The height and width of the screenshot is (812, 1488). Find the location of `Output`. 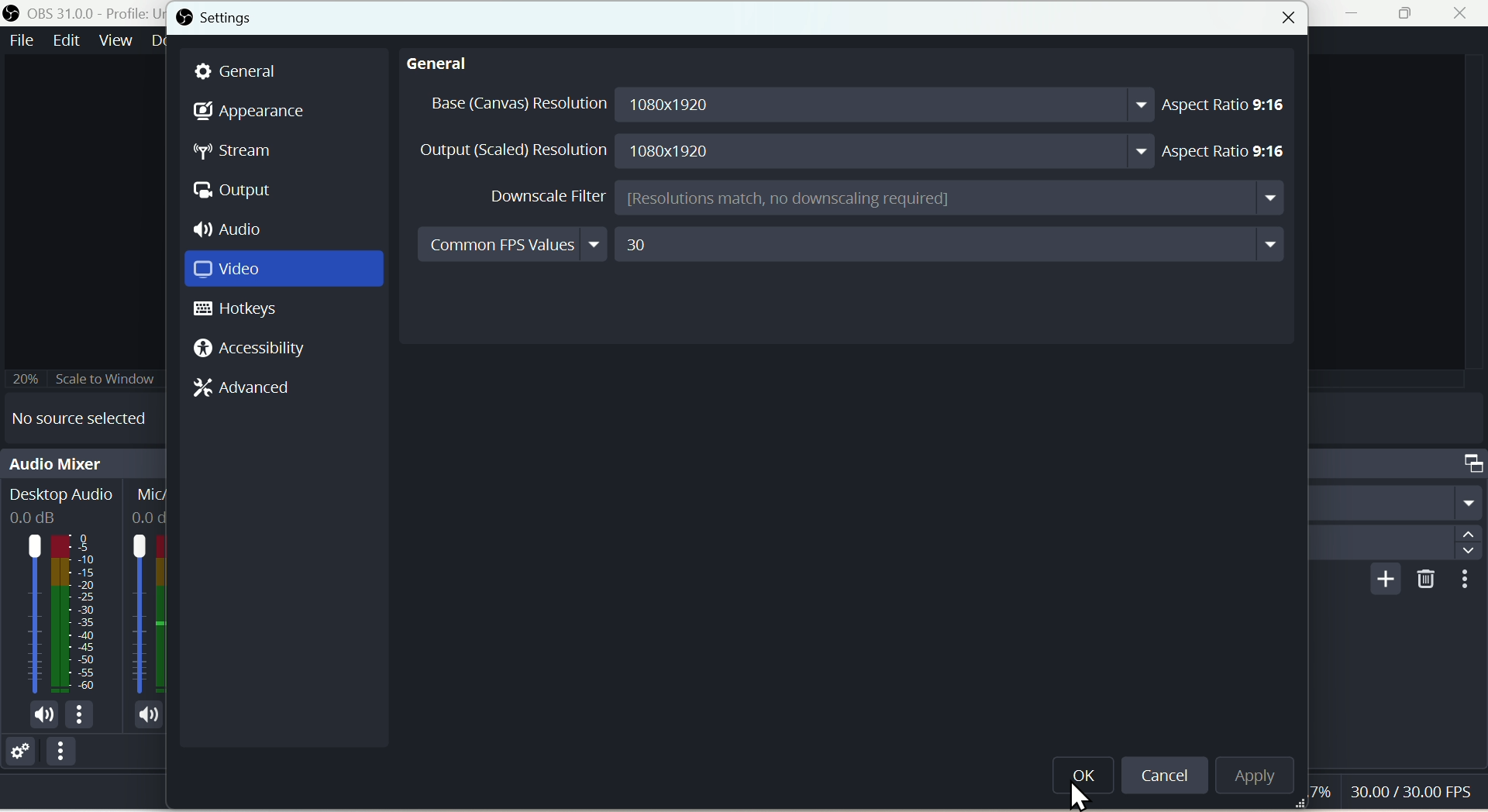

Output is located at coordinates (239, 192).